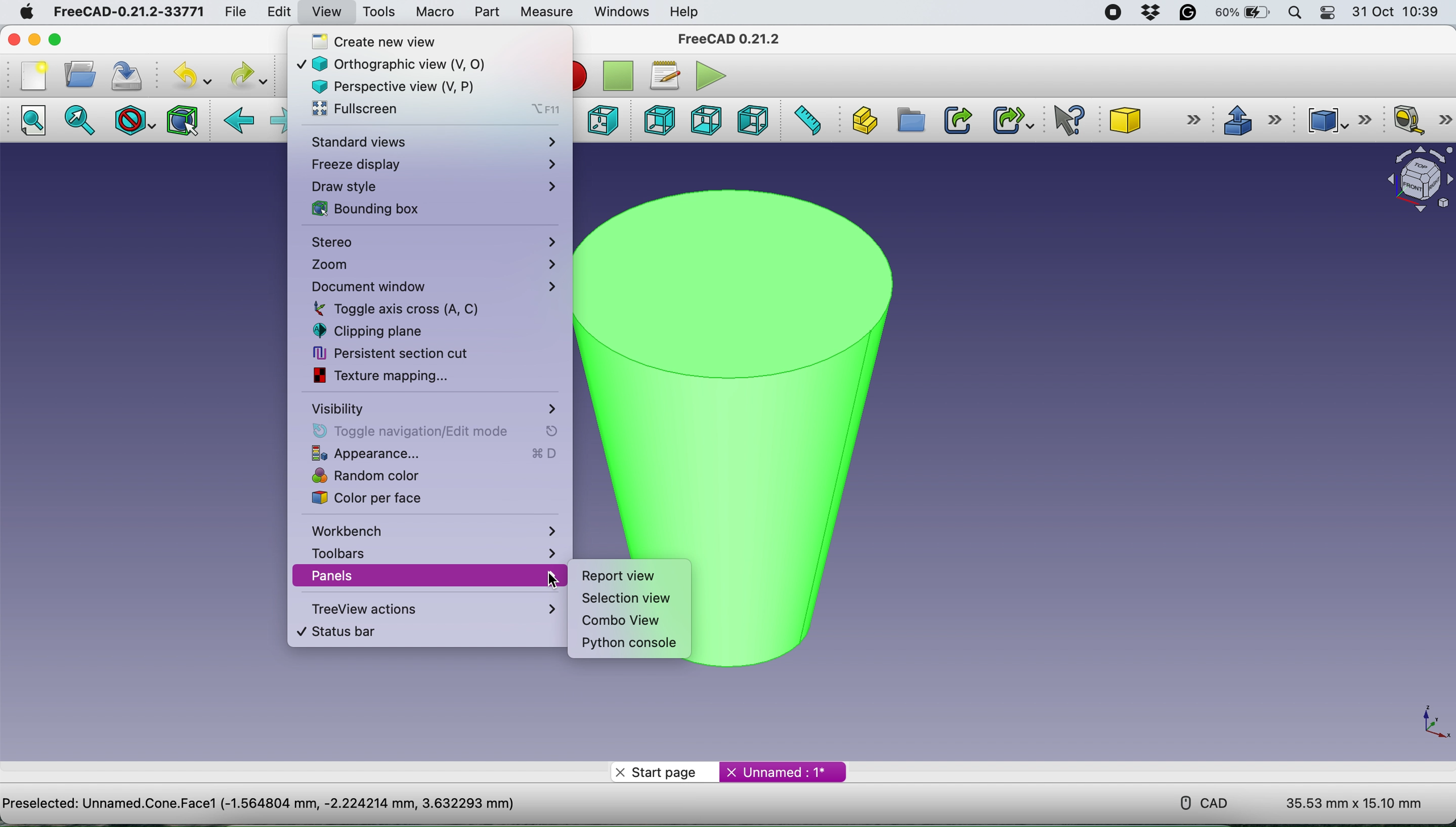 The width and height of the screenshot is (1456, 827). I want to click on bounding box, so click(424, 209).